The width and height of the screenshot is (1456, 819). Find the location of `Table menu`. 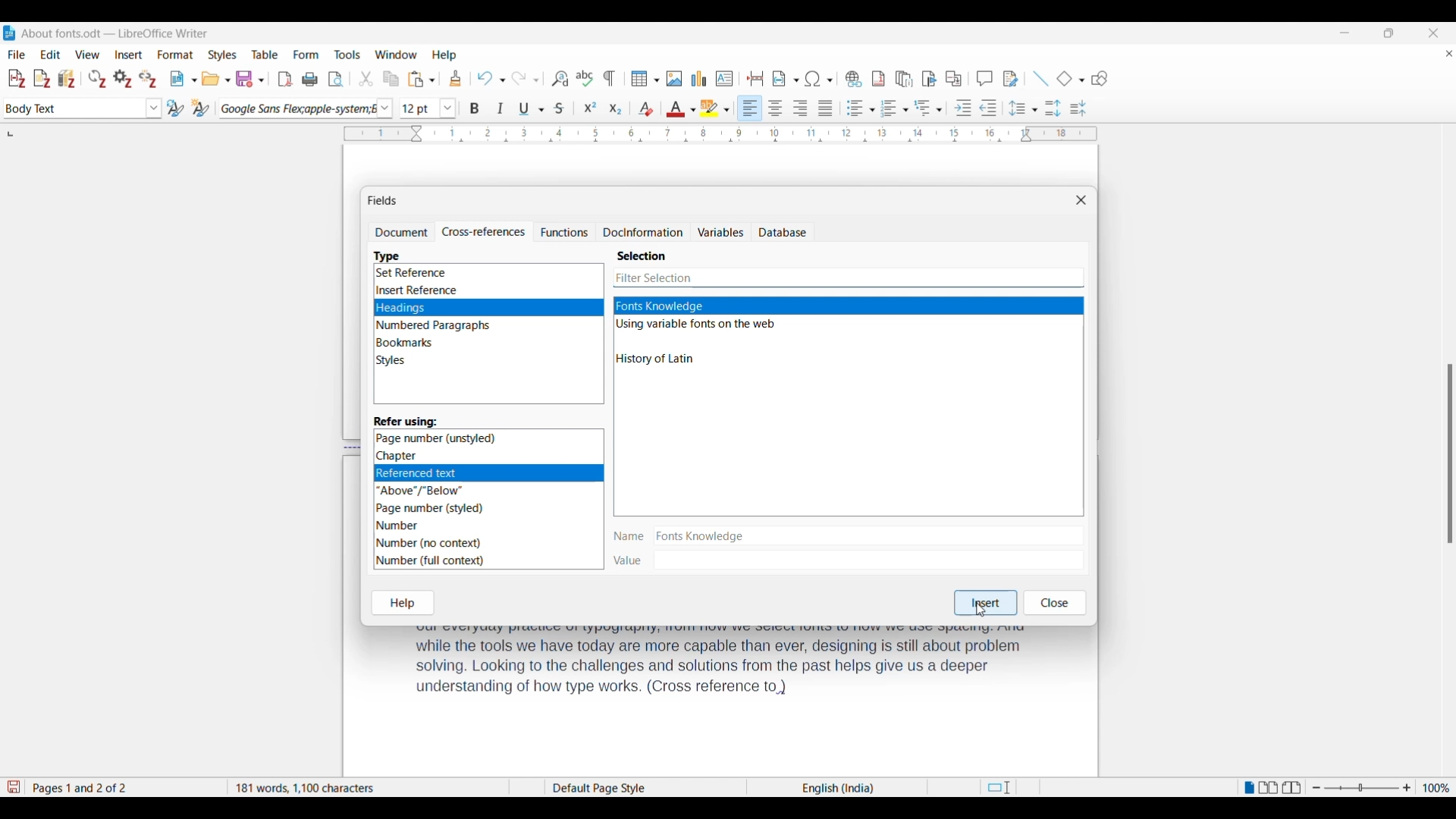

Table menu is located at coordinates (265, 55).